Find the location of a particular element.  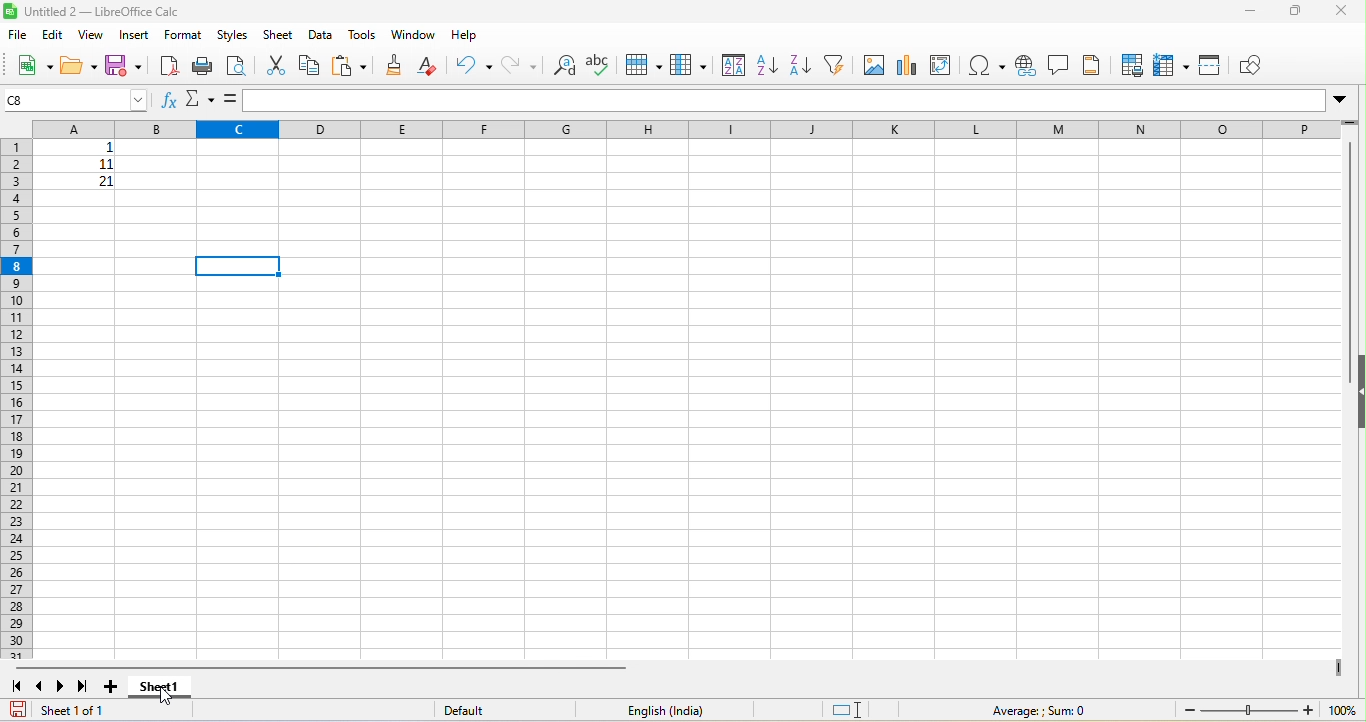

define print area is located at coordinates (1133, 67).